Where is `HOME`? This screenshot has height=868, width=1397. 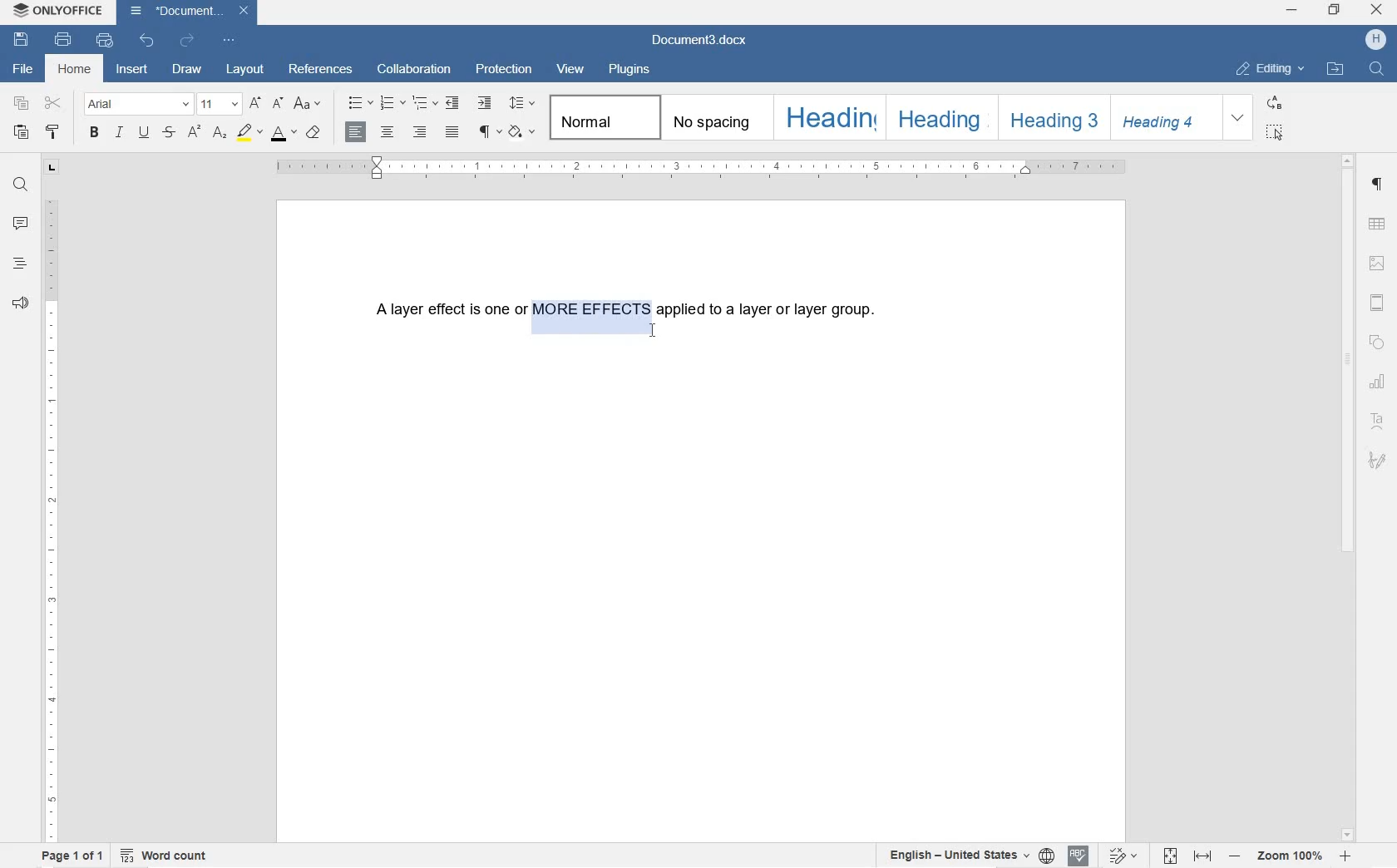 HOME is located at coordinates (77, 70).